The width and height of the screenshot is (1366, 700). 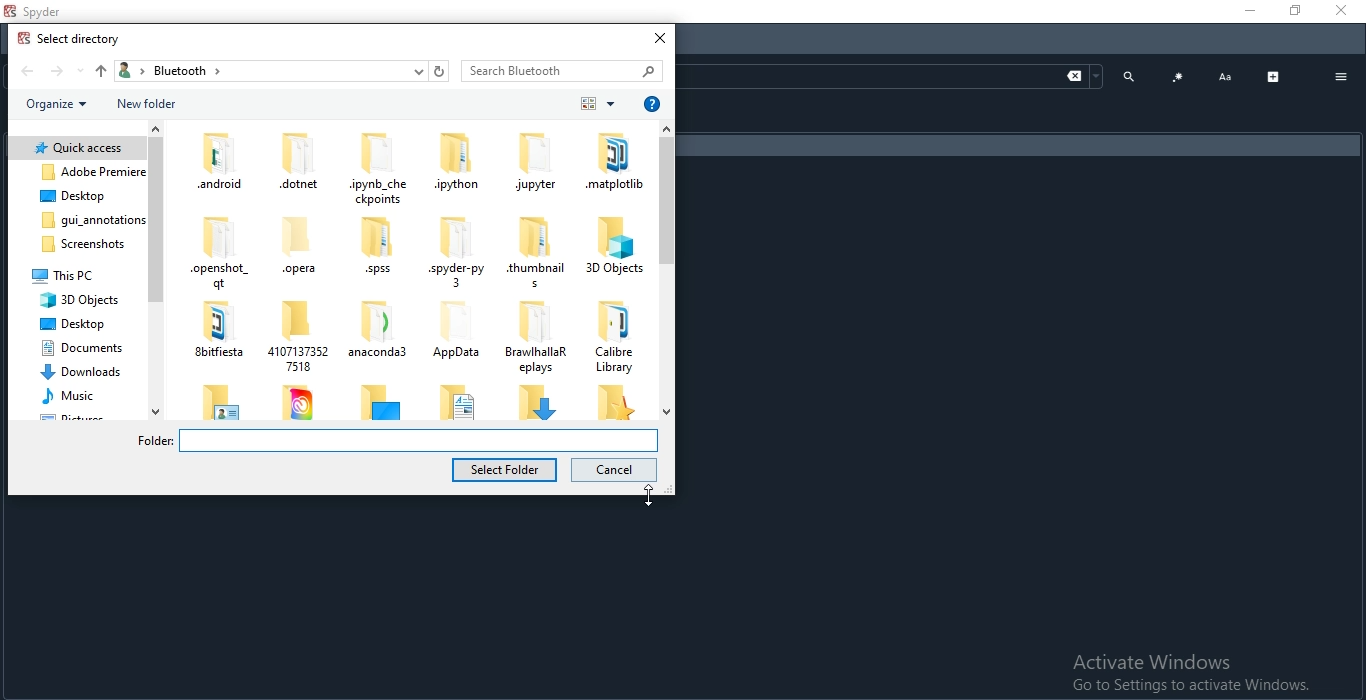 What do you see at coordinates (616, 470) in the screenshot?
I see `cancel` at bounding box center [616, 470].